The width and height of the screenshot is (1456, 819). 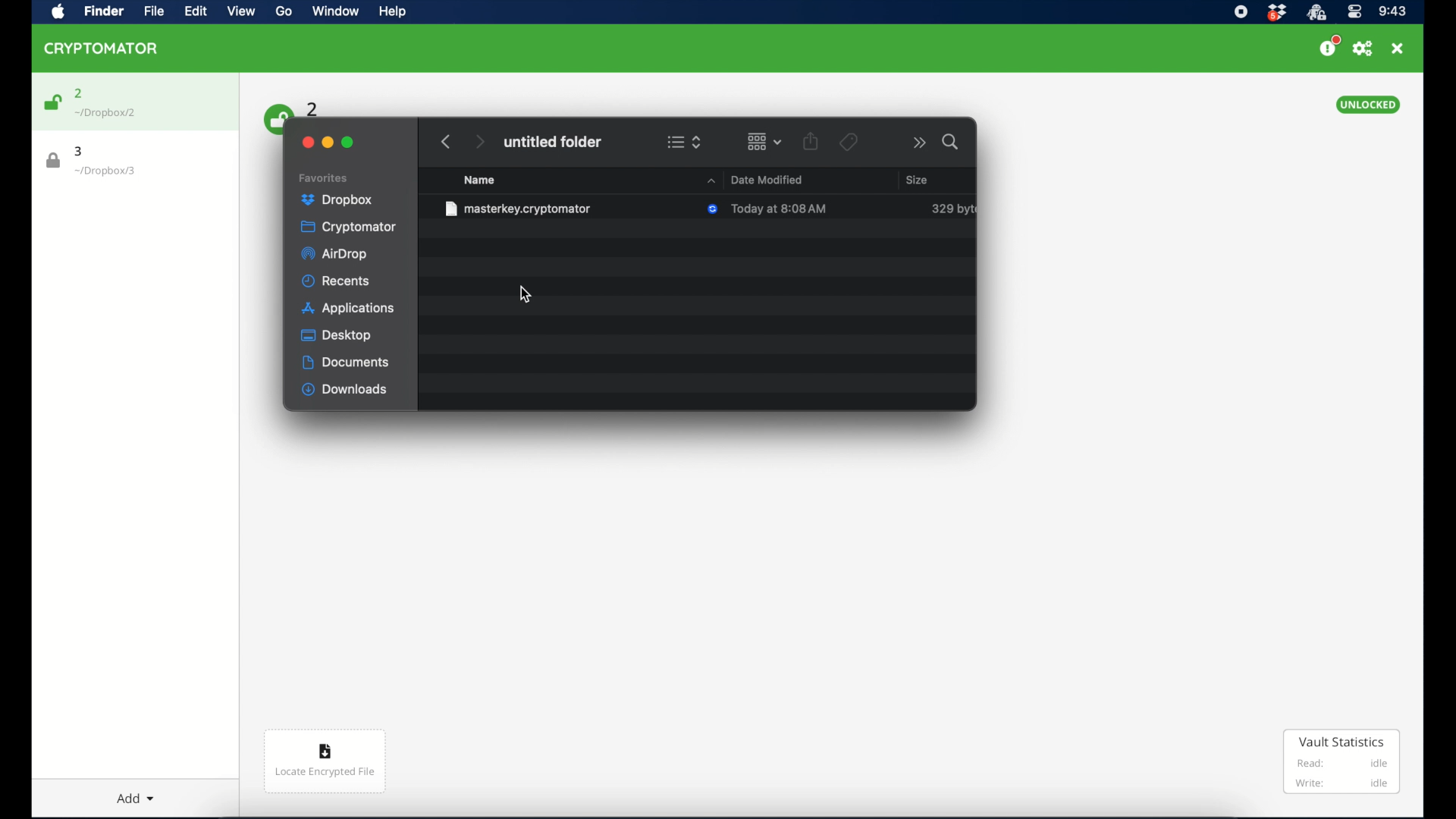 I want to click on view, so click(x=241, y=11).